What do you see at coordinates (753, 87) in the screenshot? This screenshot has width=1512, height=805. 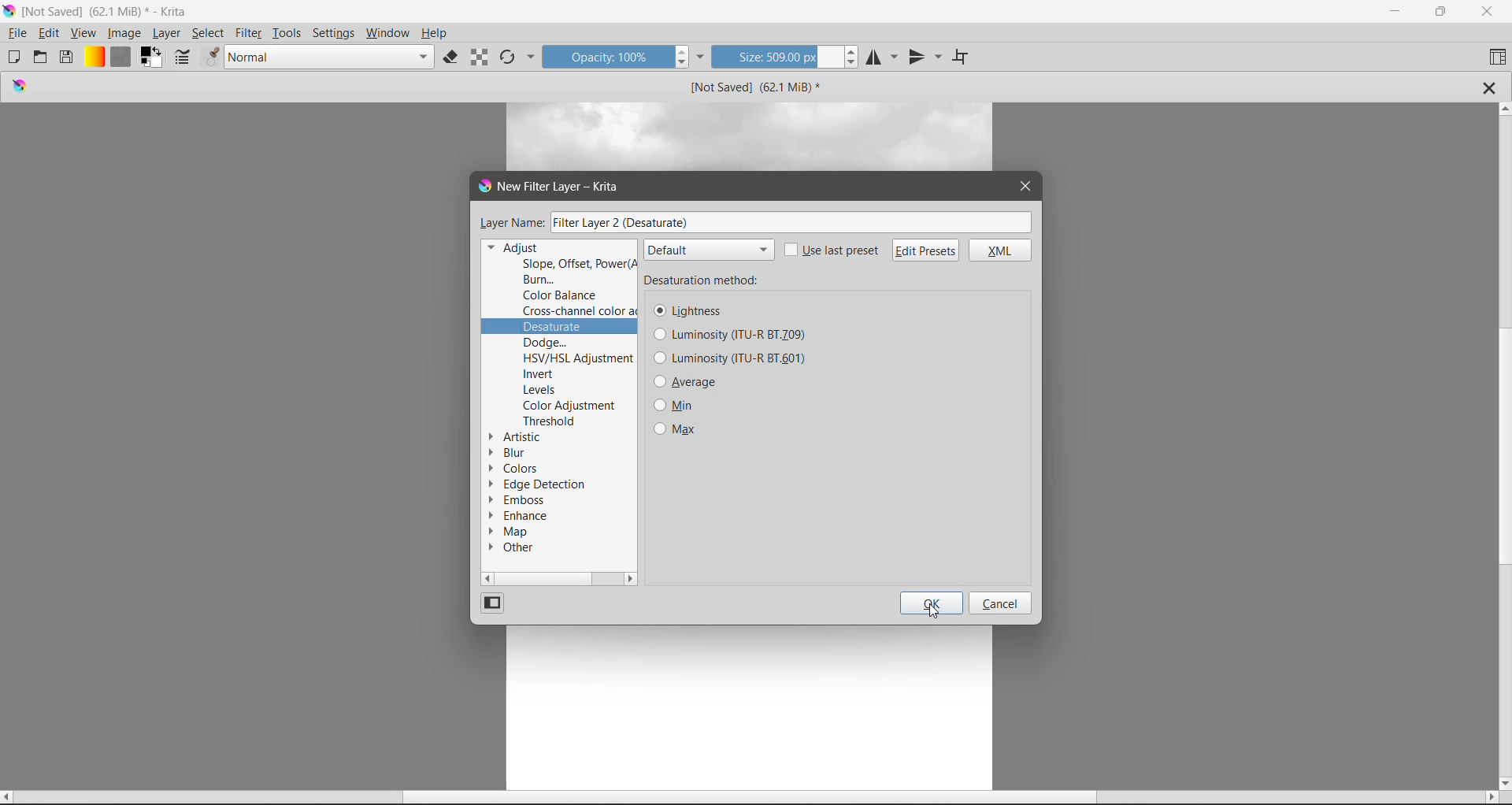 I see `Image Name and Size` at bounding box center [753, 87].